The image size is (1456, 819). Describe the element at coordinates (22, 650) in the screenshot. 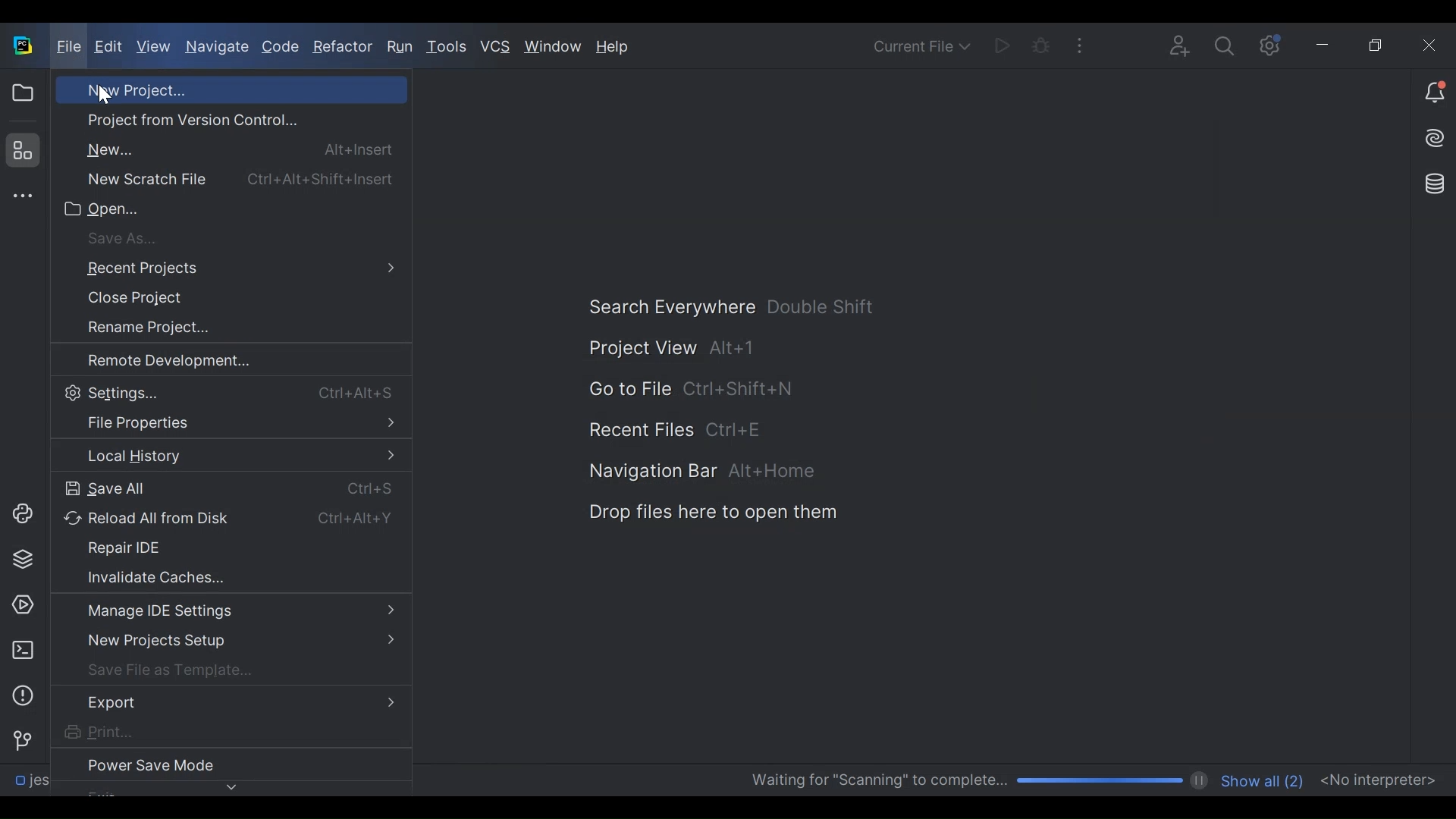

I see `Terminal` at that location.